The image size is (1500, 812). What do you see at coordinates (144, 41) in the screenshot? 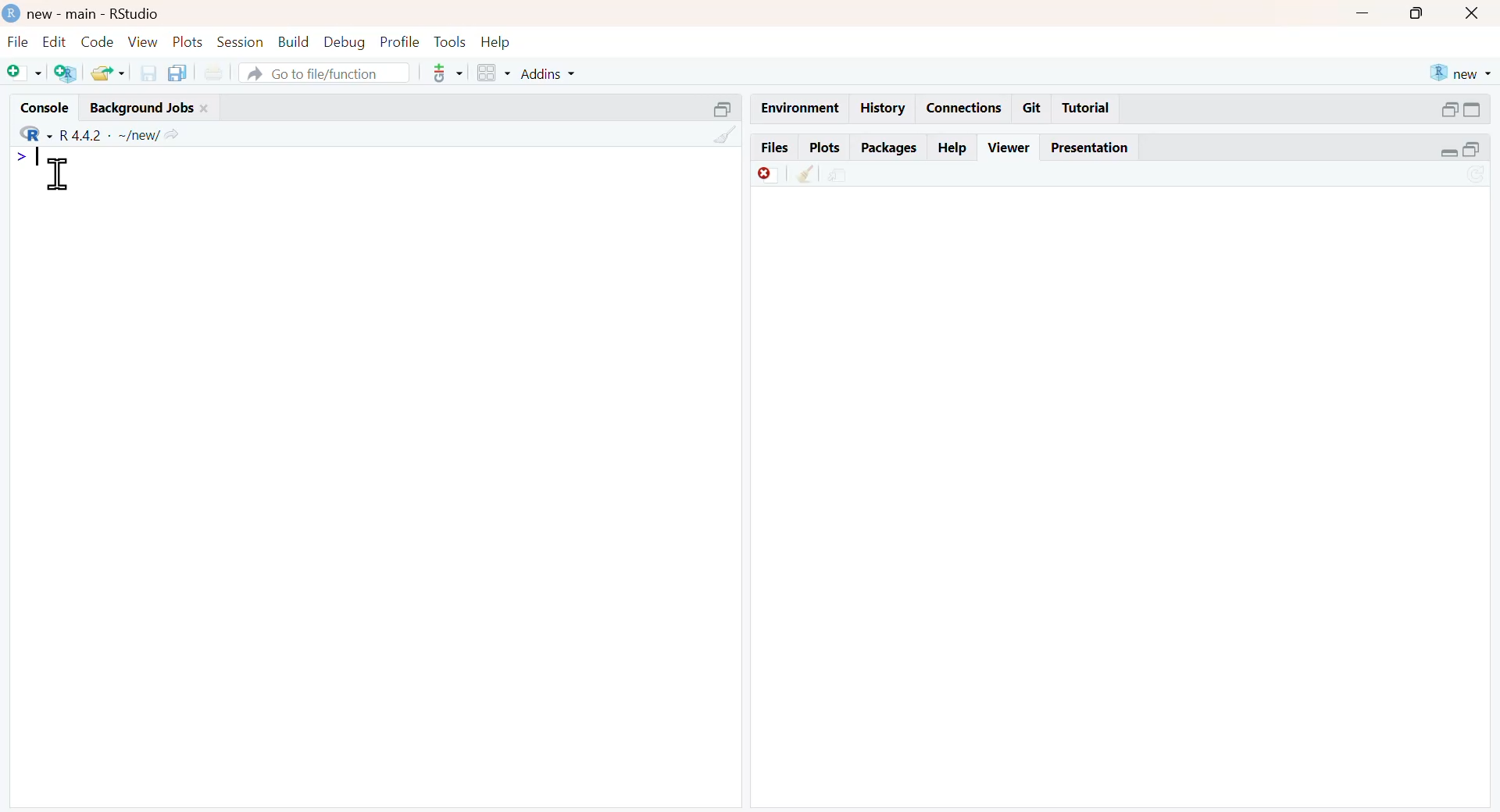
I see `view` at bounding box center [144, 41].